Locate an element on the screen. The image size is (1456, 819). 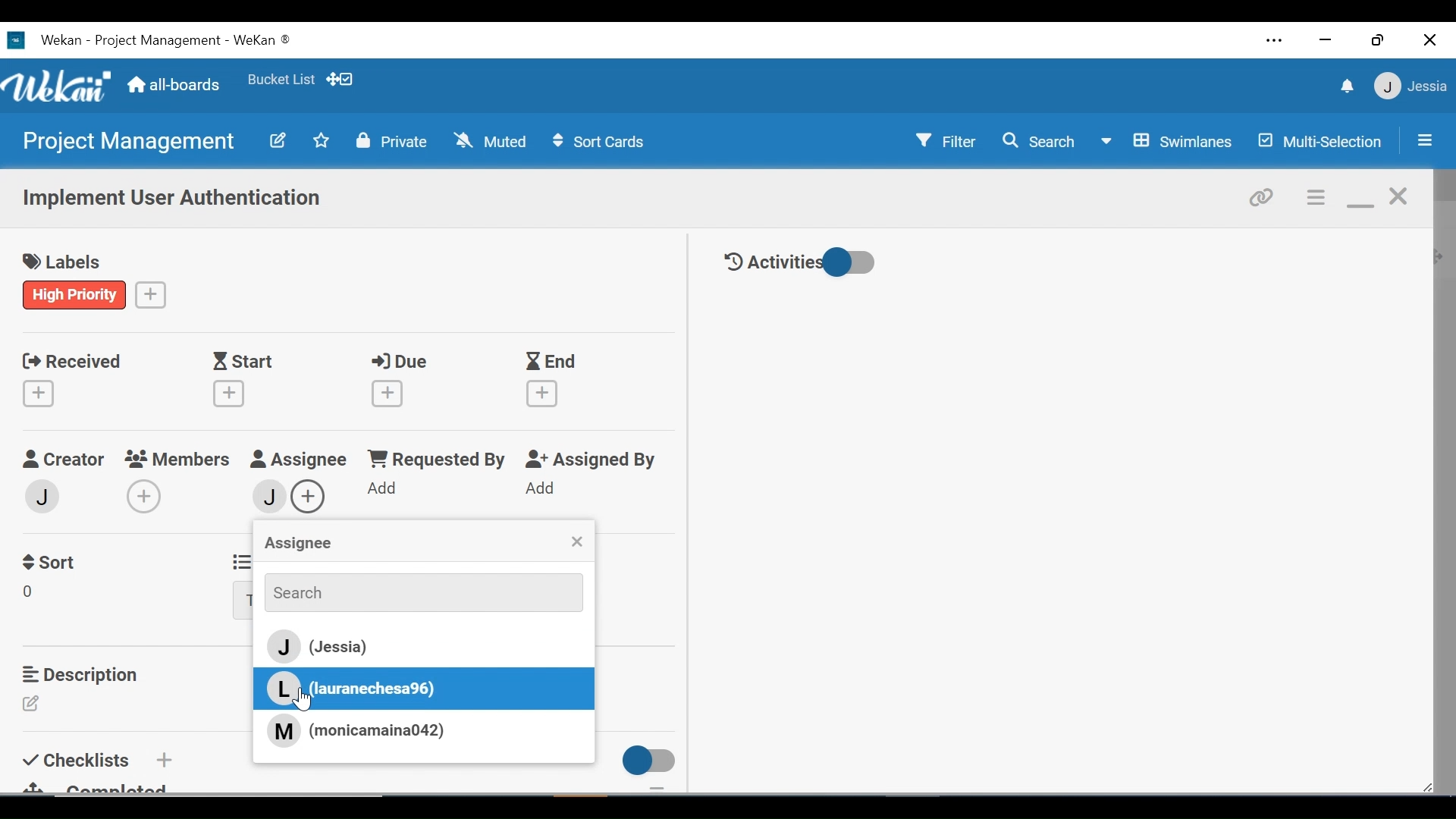
bucket list is located at coordinates (281, 80).